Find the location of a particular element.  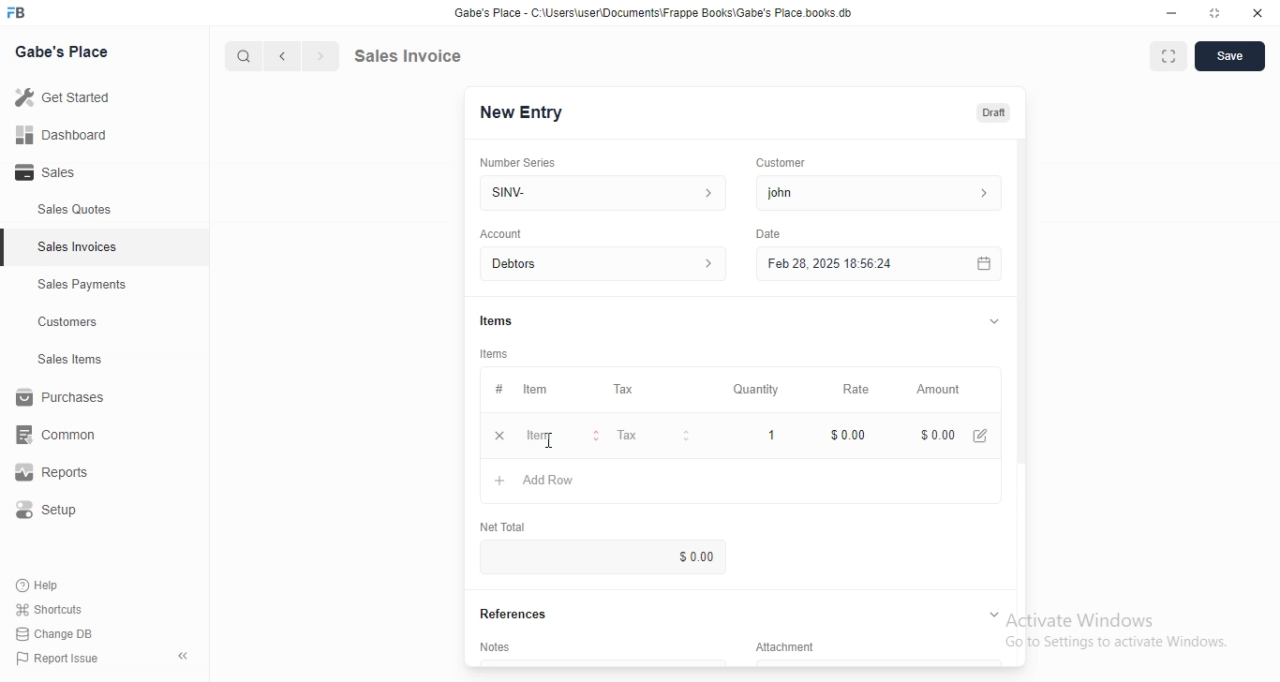

Gabe's Place is located at coordinates (66, 50).